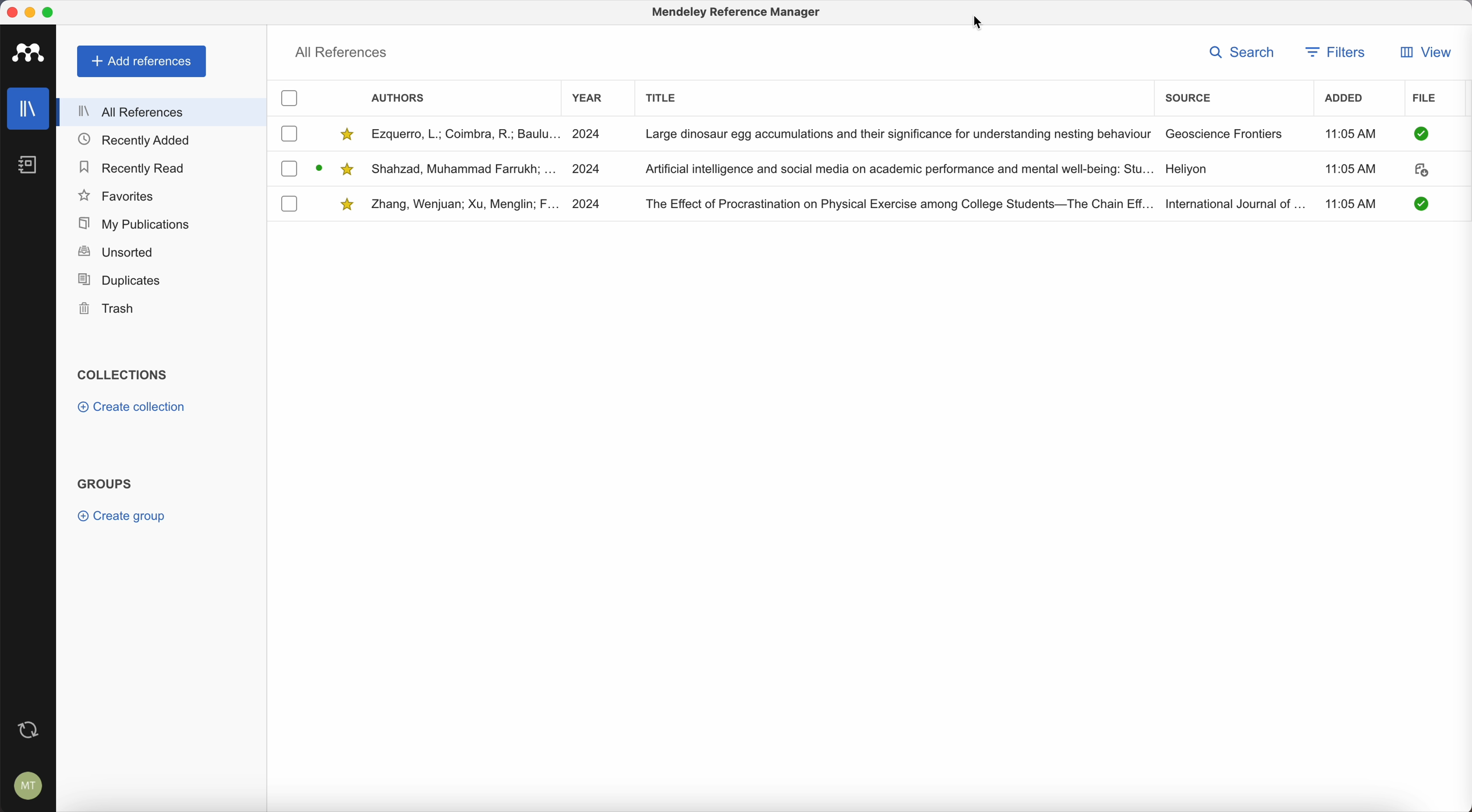 The height and width of the screenshot is (812, 1472). What do you see at coordinates (738, 14) in the screenshot?
I see `Mendeley reference manager` at bounding box center [738, 14].